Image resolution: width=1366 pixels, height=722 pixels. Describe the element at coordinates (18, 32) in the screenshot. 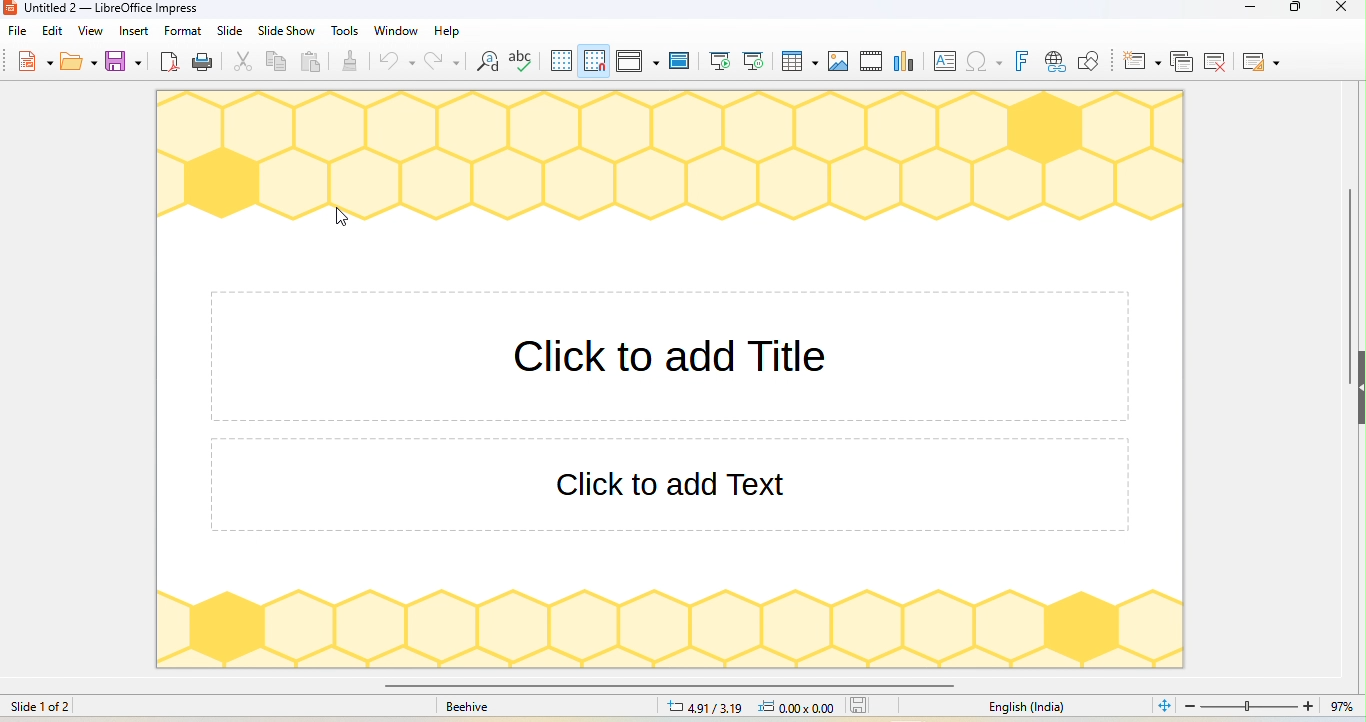

I see `file` at that location.